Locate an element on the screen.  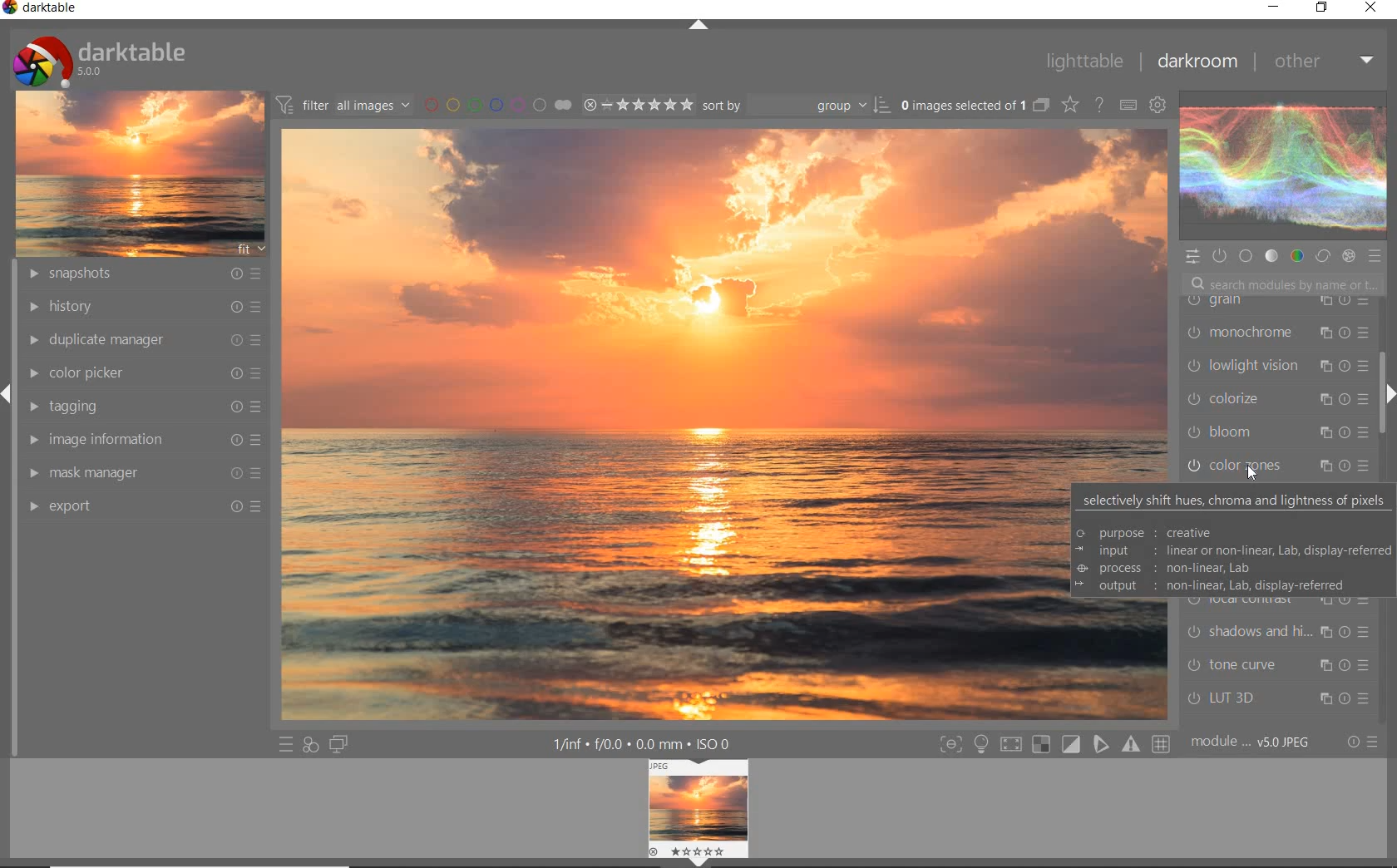
FITER BY COLOR LABEL is located at coordinates (496, 104).